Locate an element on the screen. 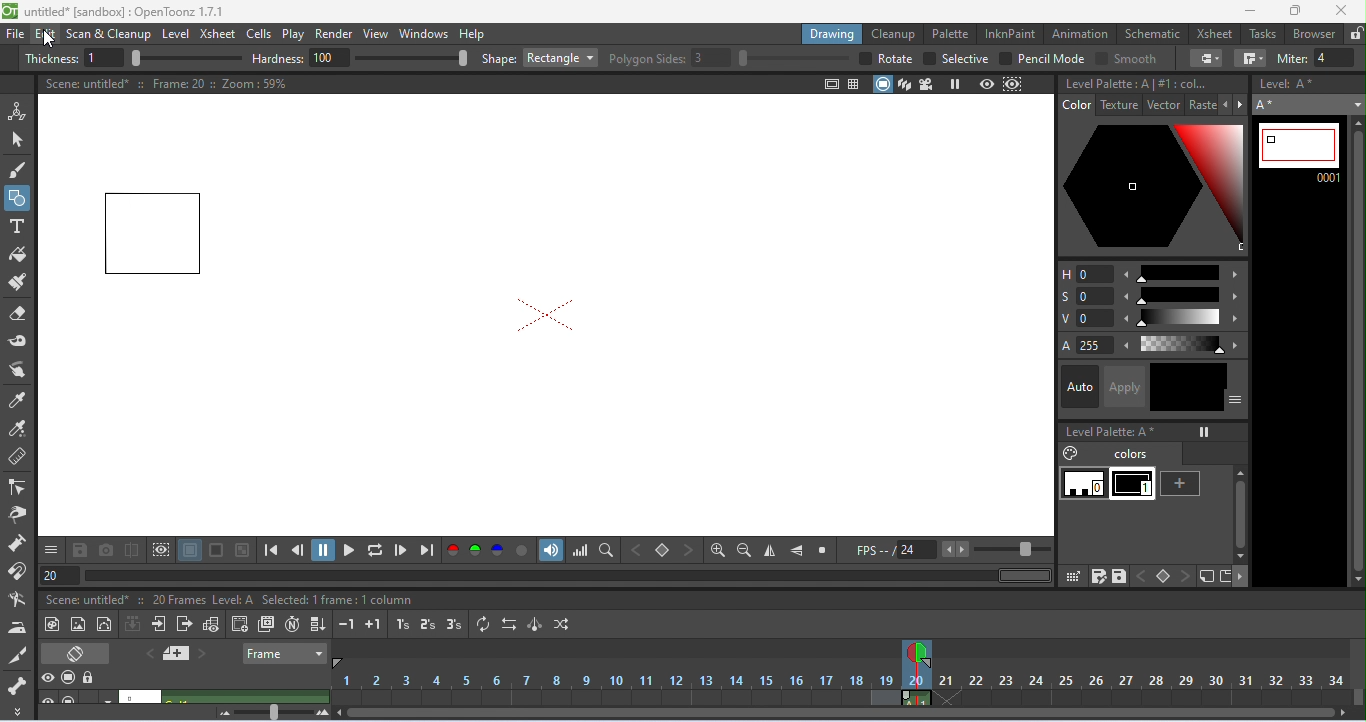 The image size is (1366, 722). pause is located at coordinates (323, 550).